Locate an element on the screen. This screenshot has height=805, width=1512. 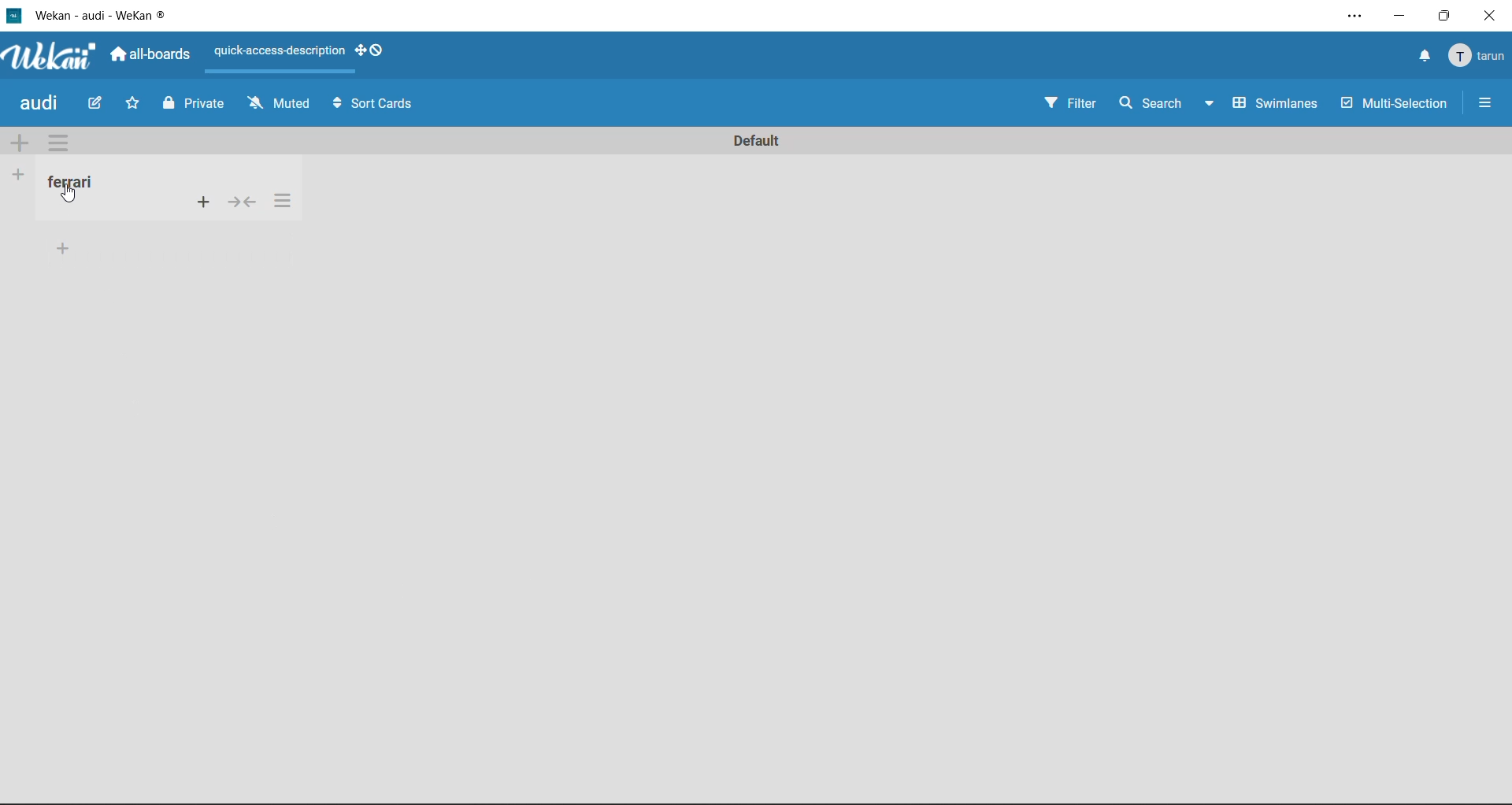
app logo Wekan is located at coordinates (50, 57).